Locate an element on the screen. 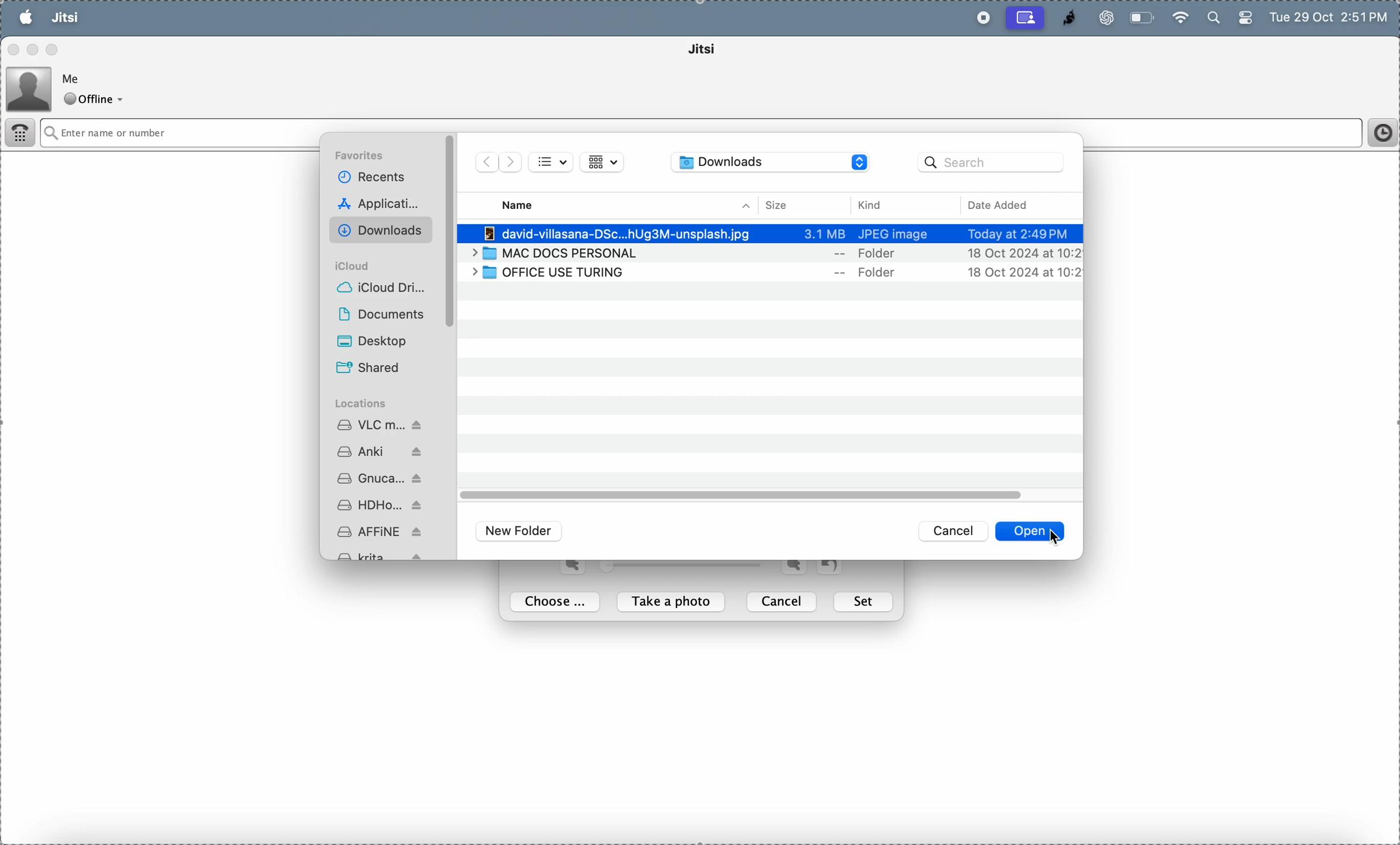 The width and height of the screenshot is (1400, 845). search is located at coordinates (1212, 19).